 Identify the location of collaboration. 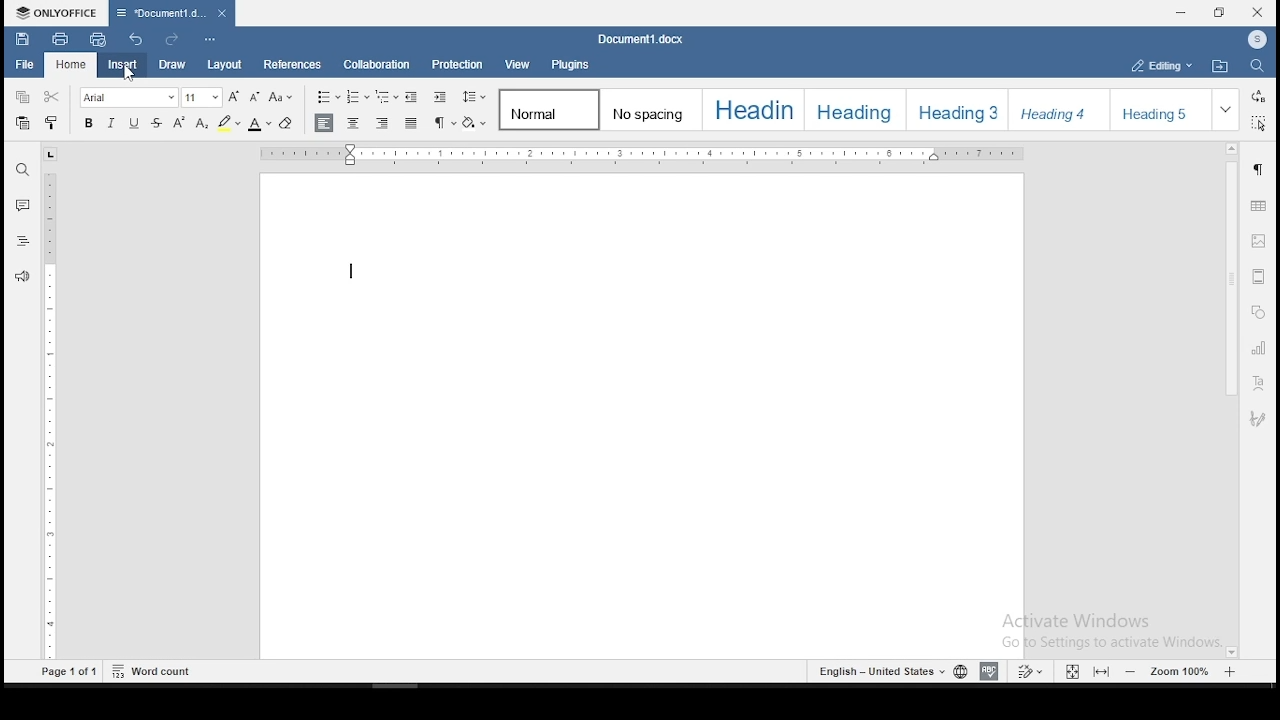
(379, 67).